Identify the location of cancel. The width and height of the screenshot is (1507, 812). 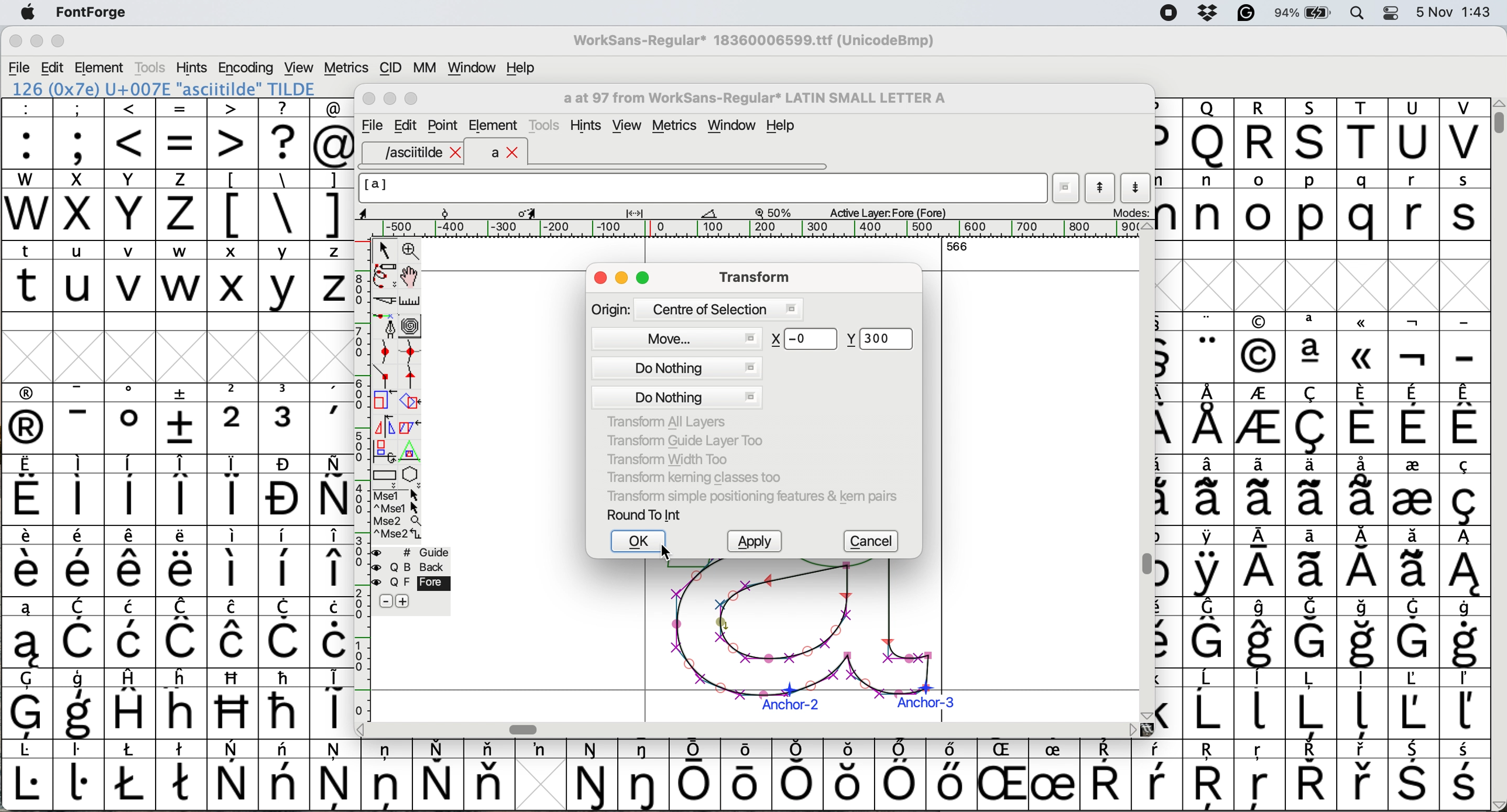
(875, 542).